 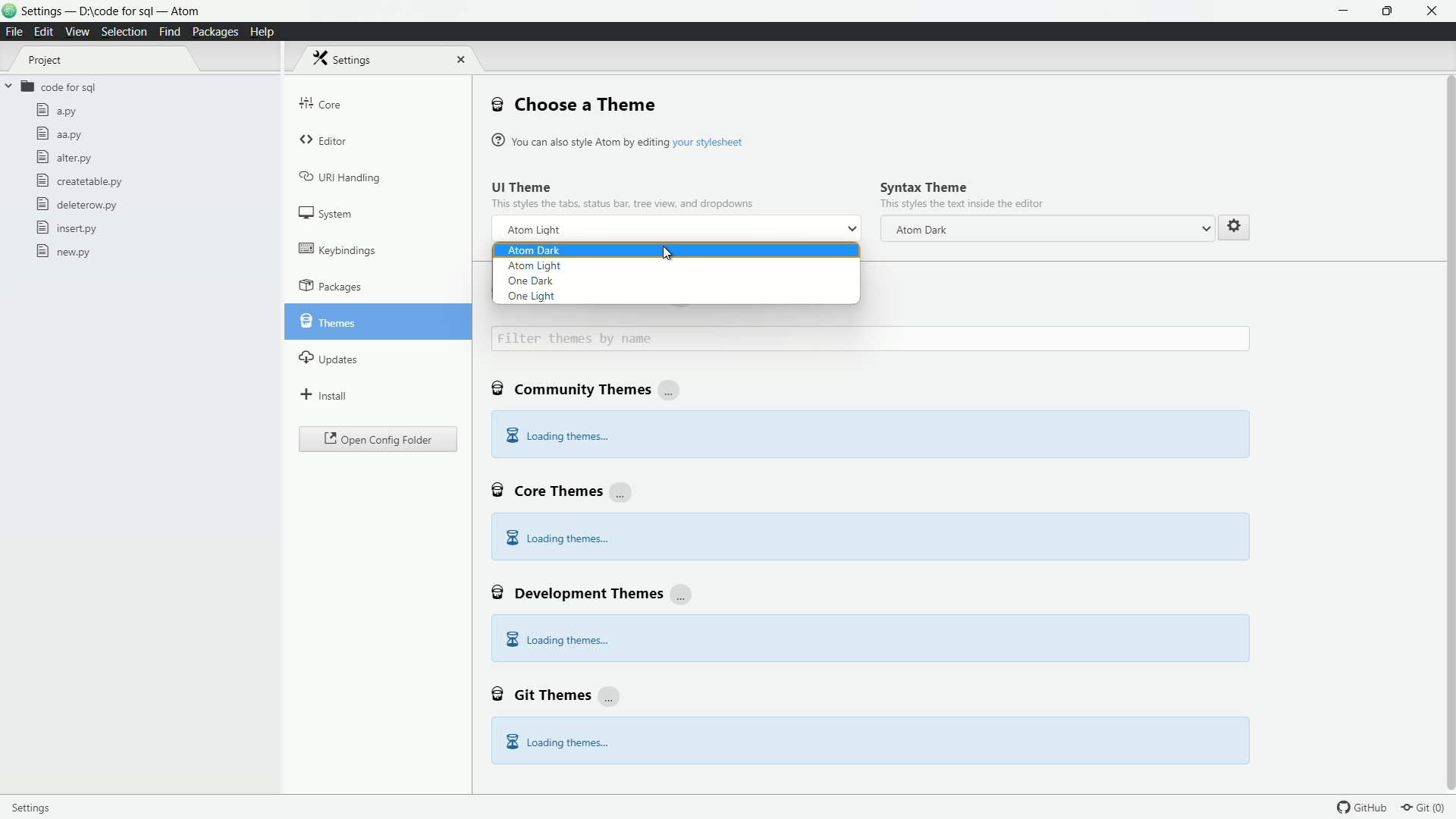 What do you see at coordinates (1051, 229) in the screenshot?
I see `atom dark` at bounding box center [1051, 229].